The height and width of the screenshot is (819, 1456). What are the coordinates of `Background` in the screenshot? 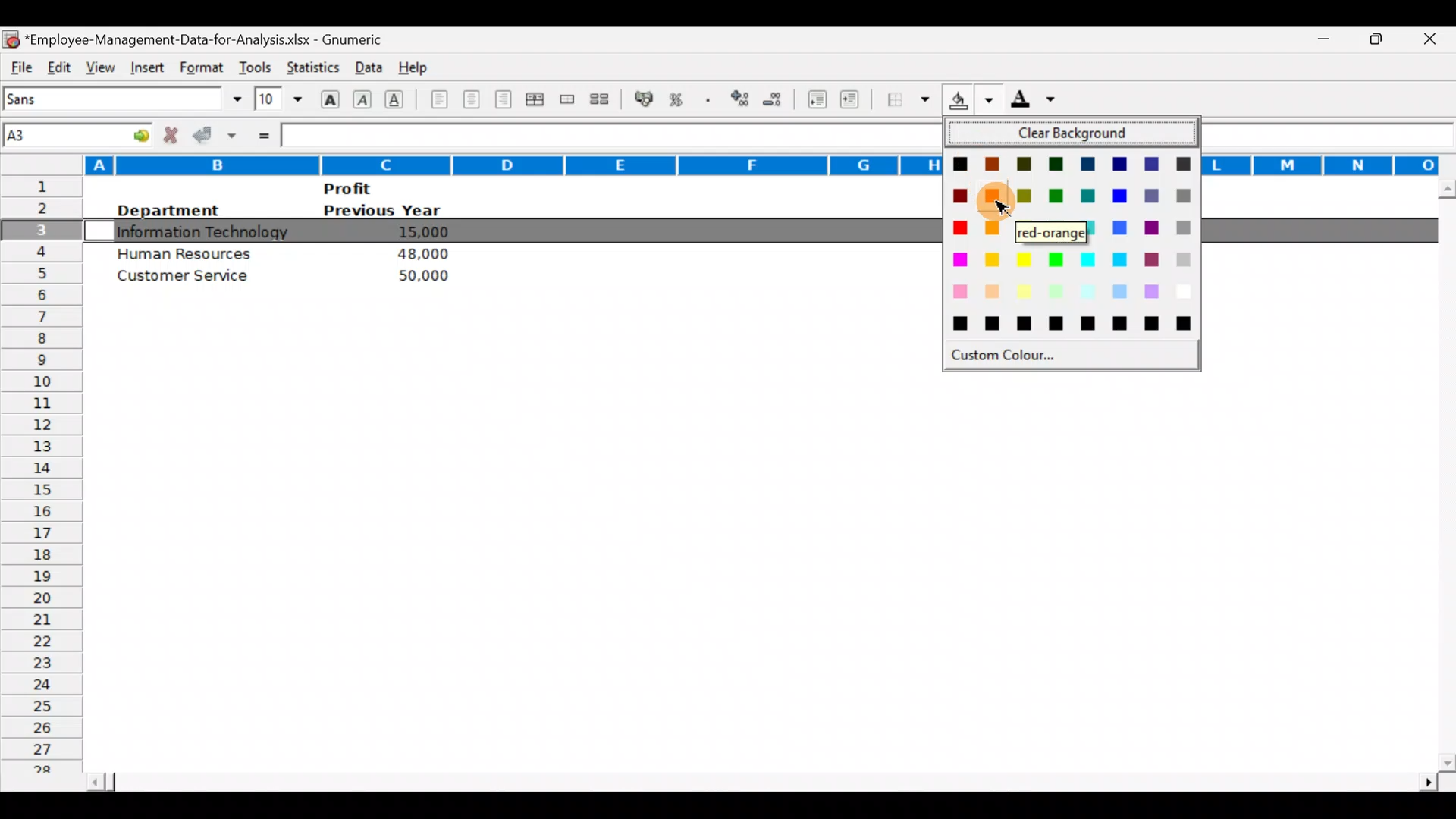 It's located at (969, 104).